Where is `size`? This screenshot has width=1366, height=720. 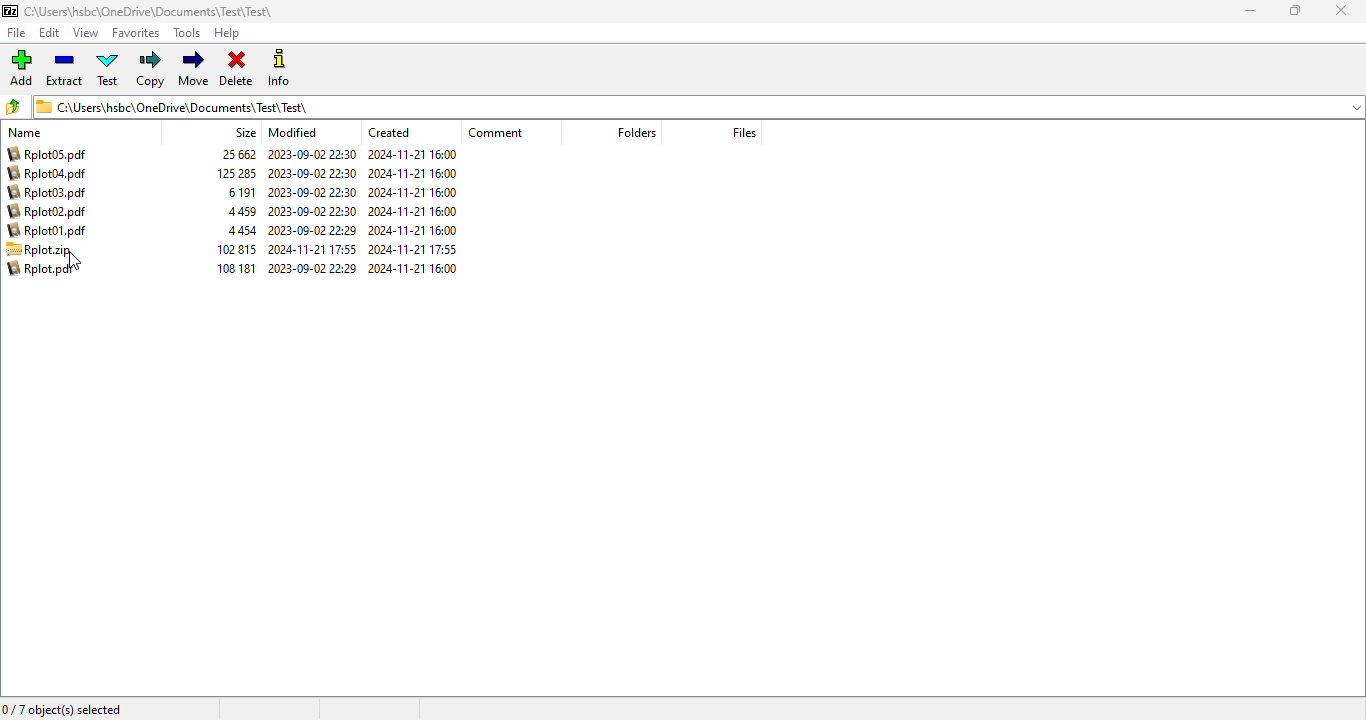
size is located at coordinates (236, 211).